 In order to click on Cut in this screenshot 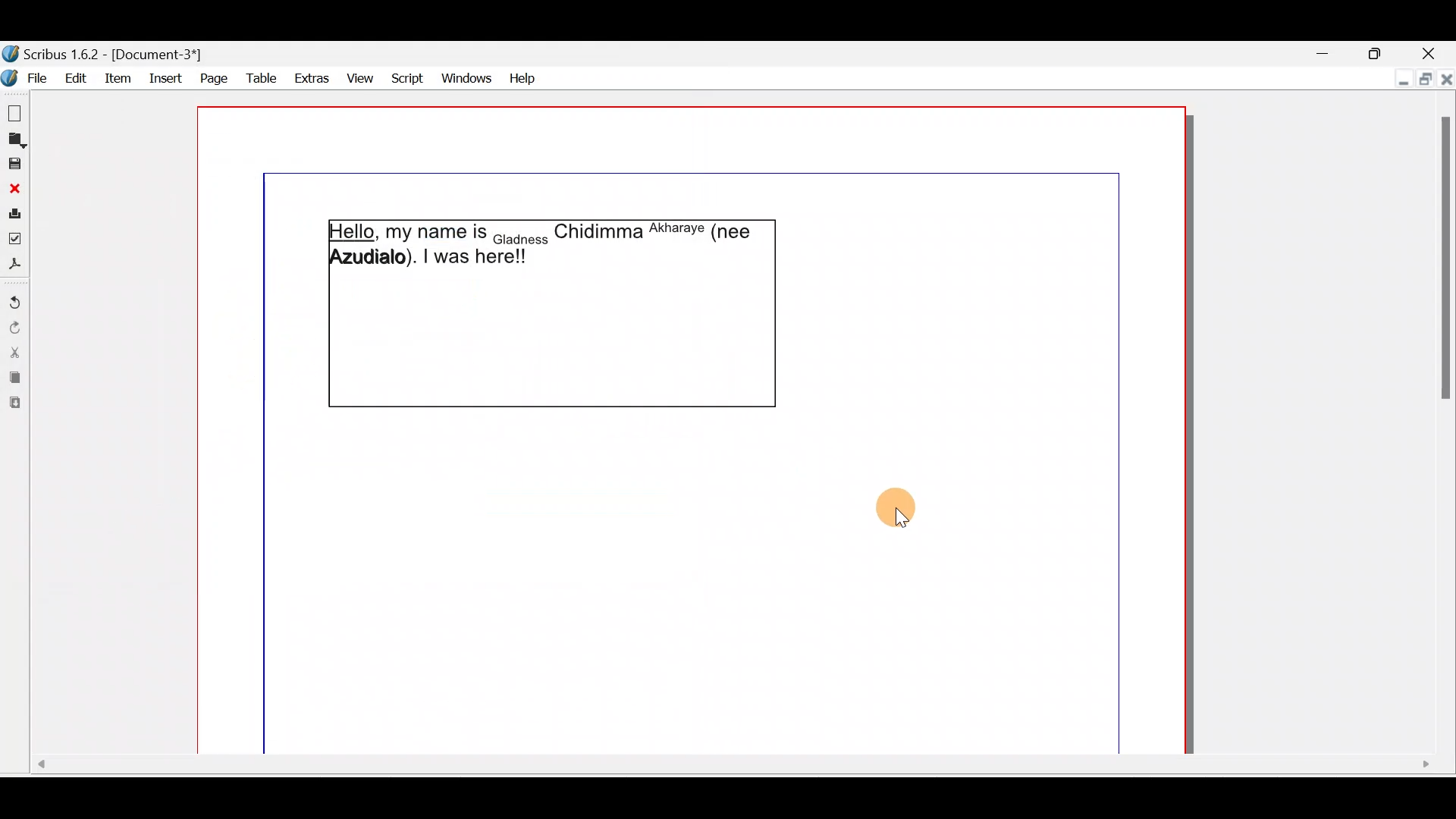, I will do `click(15, 354)`.